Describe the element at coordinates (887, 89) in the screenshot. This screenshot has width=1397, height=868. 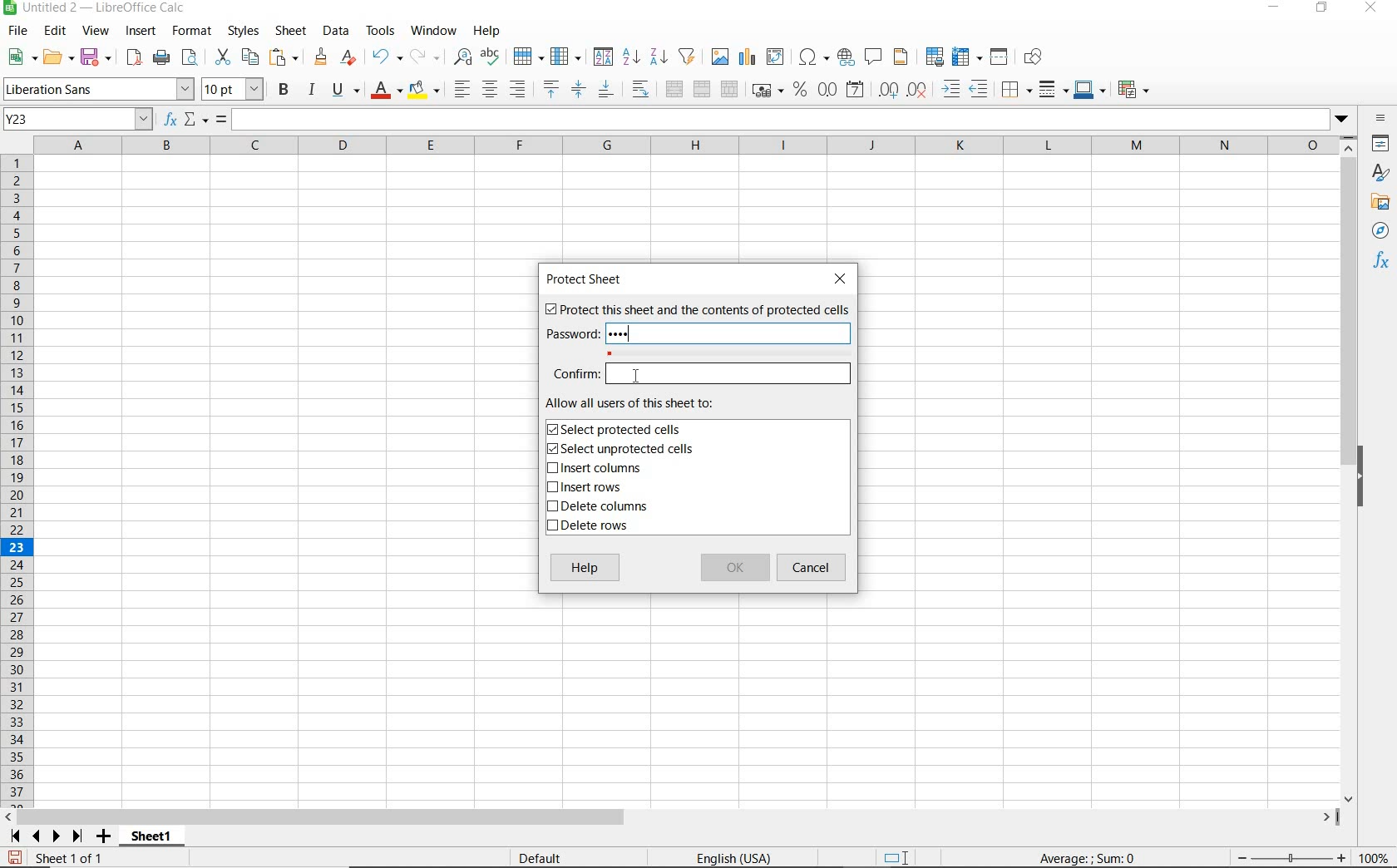
I see `ADD DECIMAL PLACE` at that location.